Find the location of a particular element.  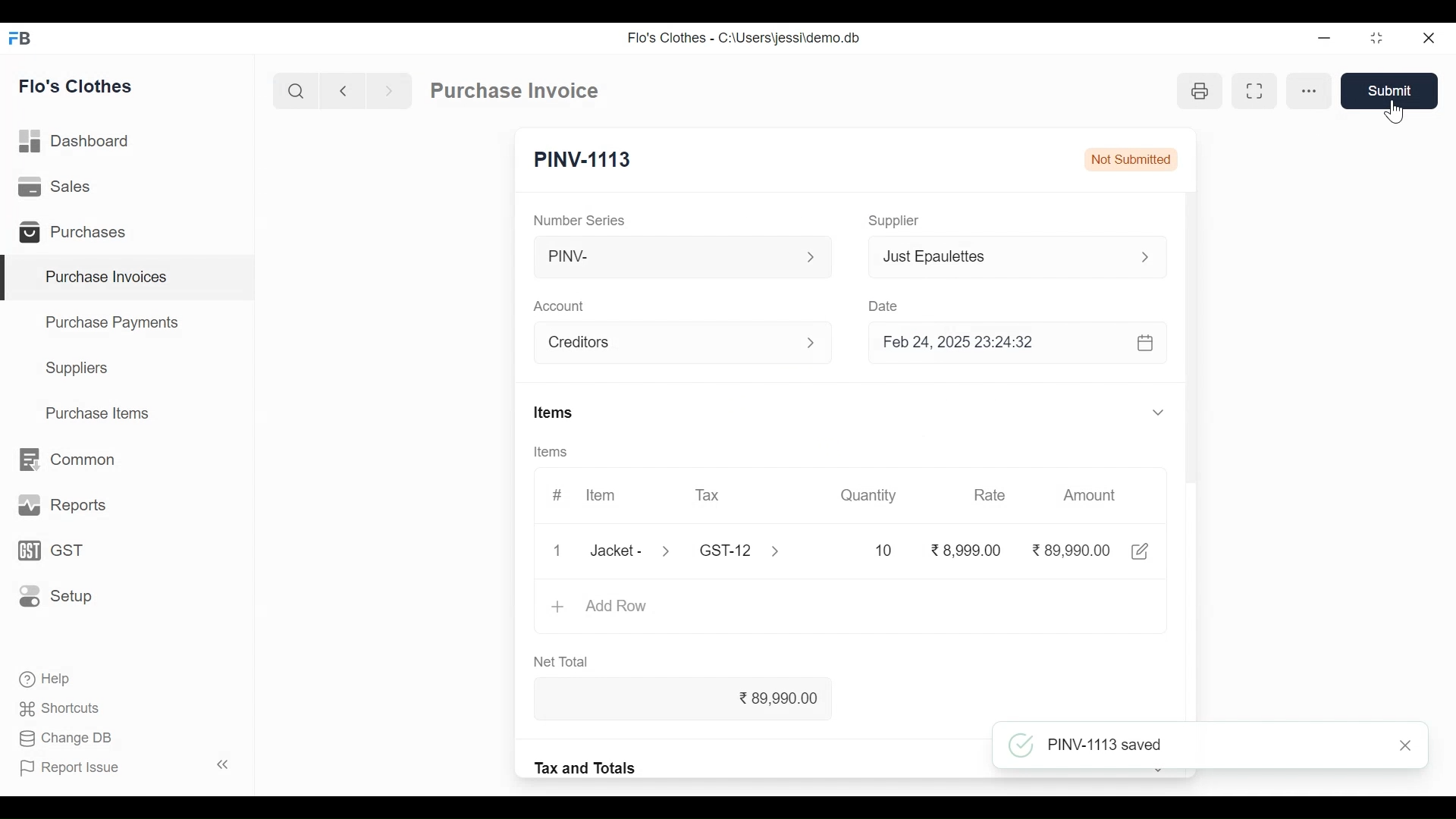

Rate is located at coordinates (988, 495).